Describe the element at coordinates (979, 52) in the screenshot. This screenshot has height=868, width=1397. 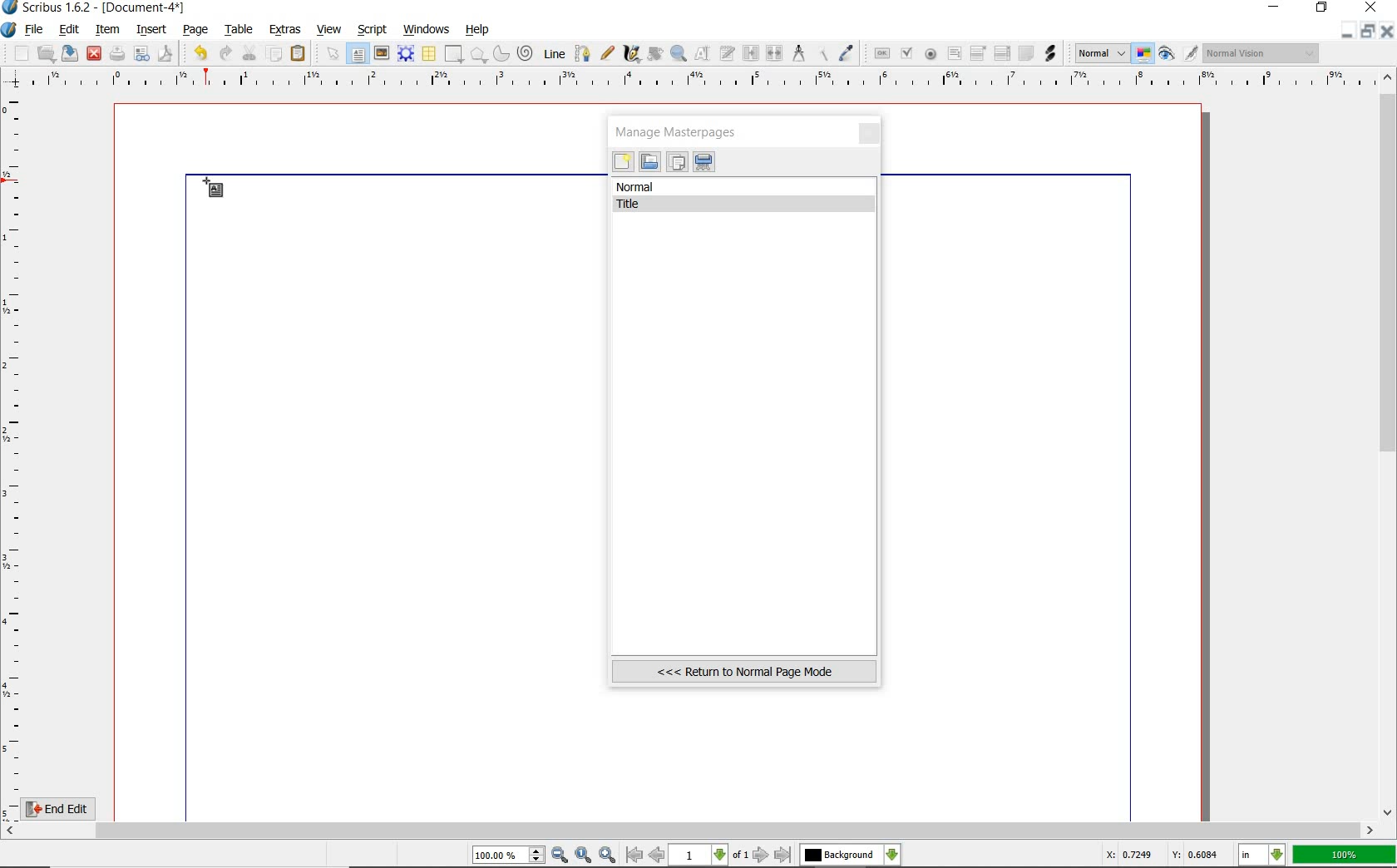
I see `pdf combo box` at that location.